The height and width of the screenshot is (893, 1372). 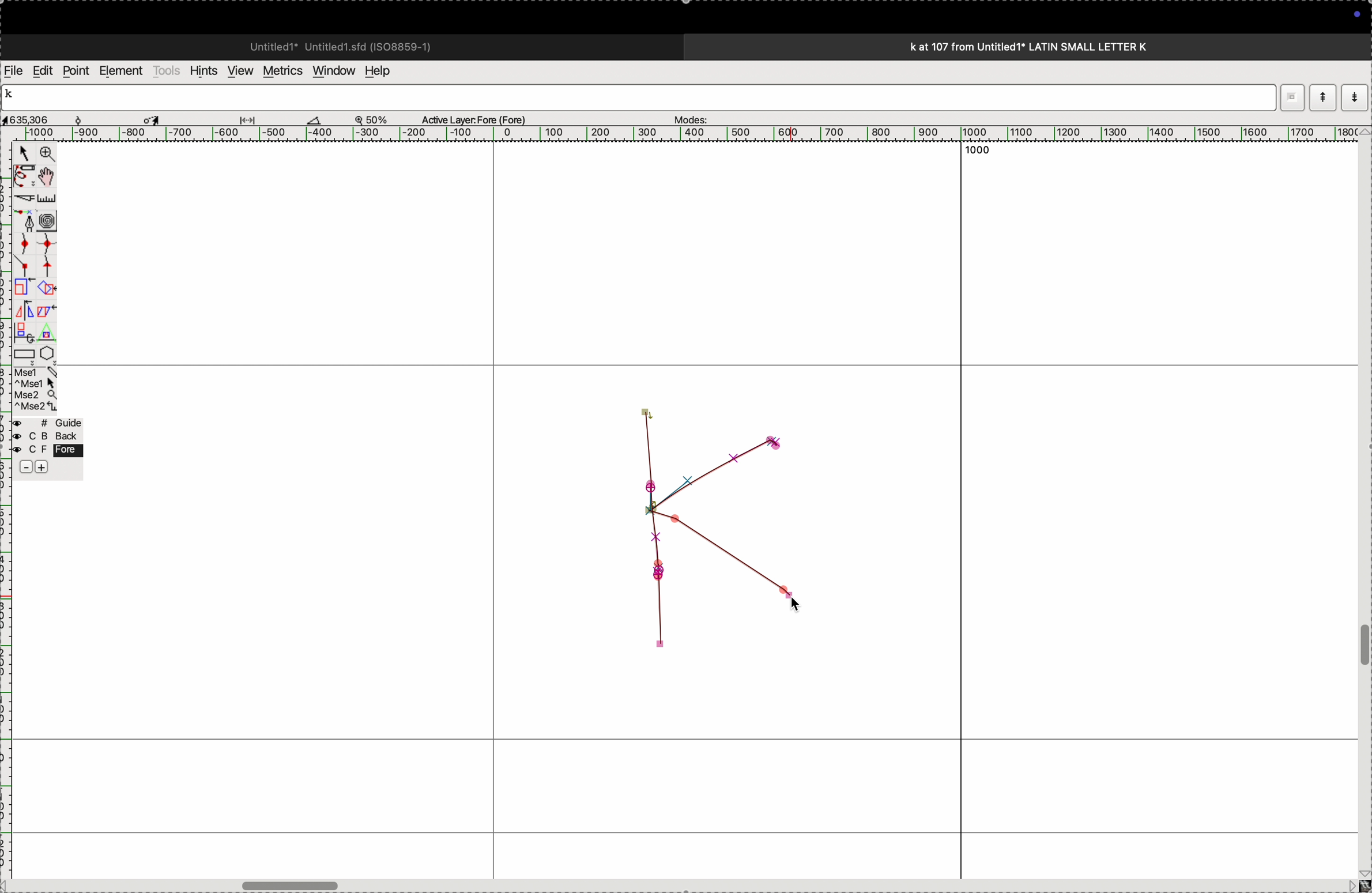 I want to click on cut, so click(x=22, y=198).